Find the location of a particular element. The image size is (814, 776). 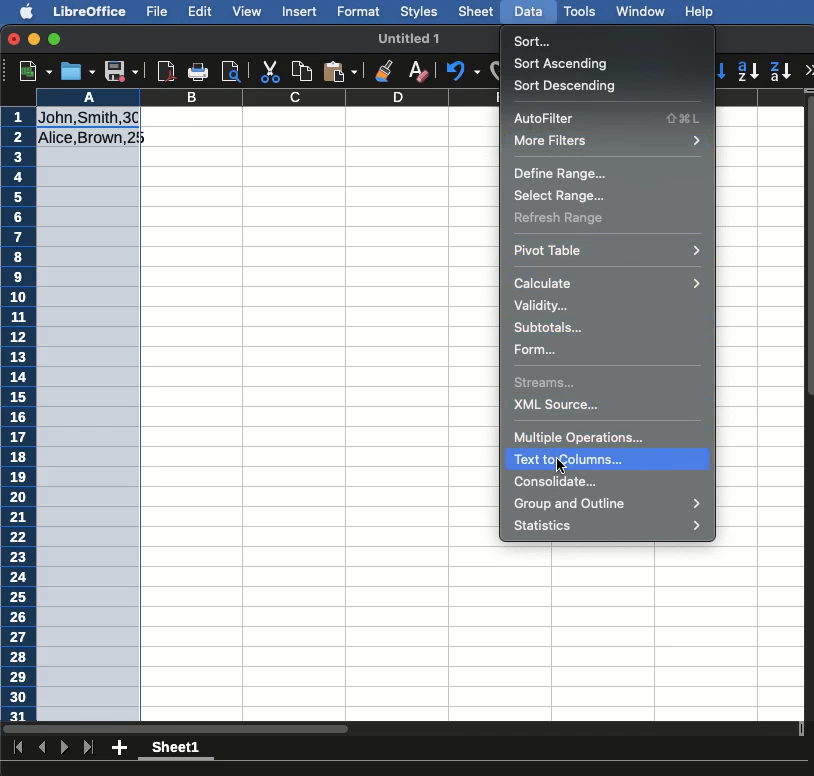

Validity is located at coordinates (541, 306).